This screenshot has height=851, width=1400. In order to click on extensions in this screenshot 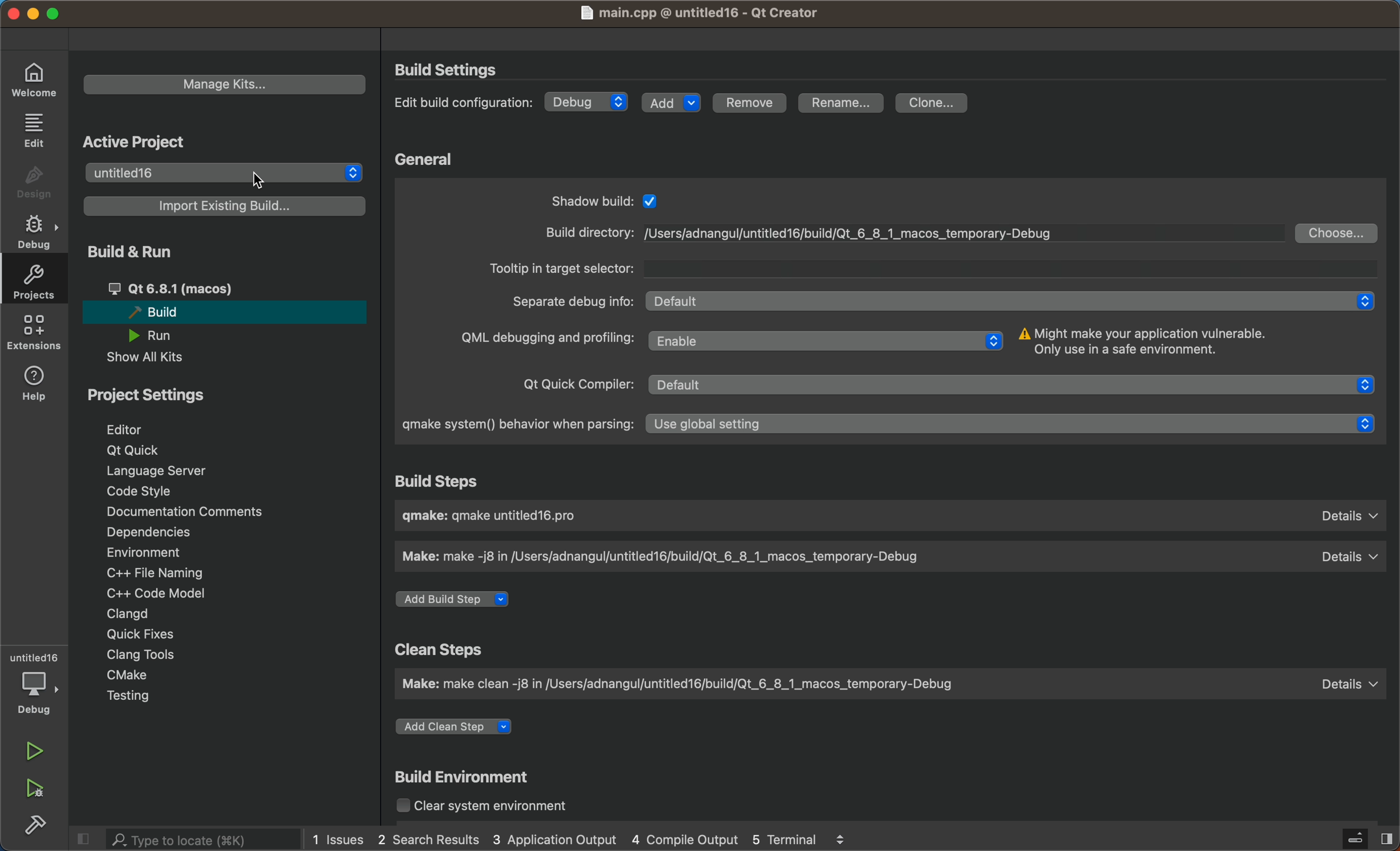, I will do `click(37, 331)`.